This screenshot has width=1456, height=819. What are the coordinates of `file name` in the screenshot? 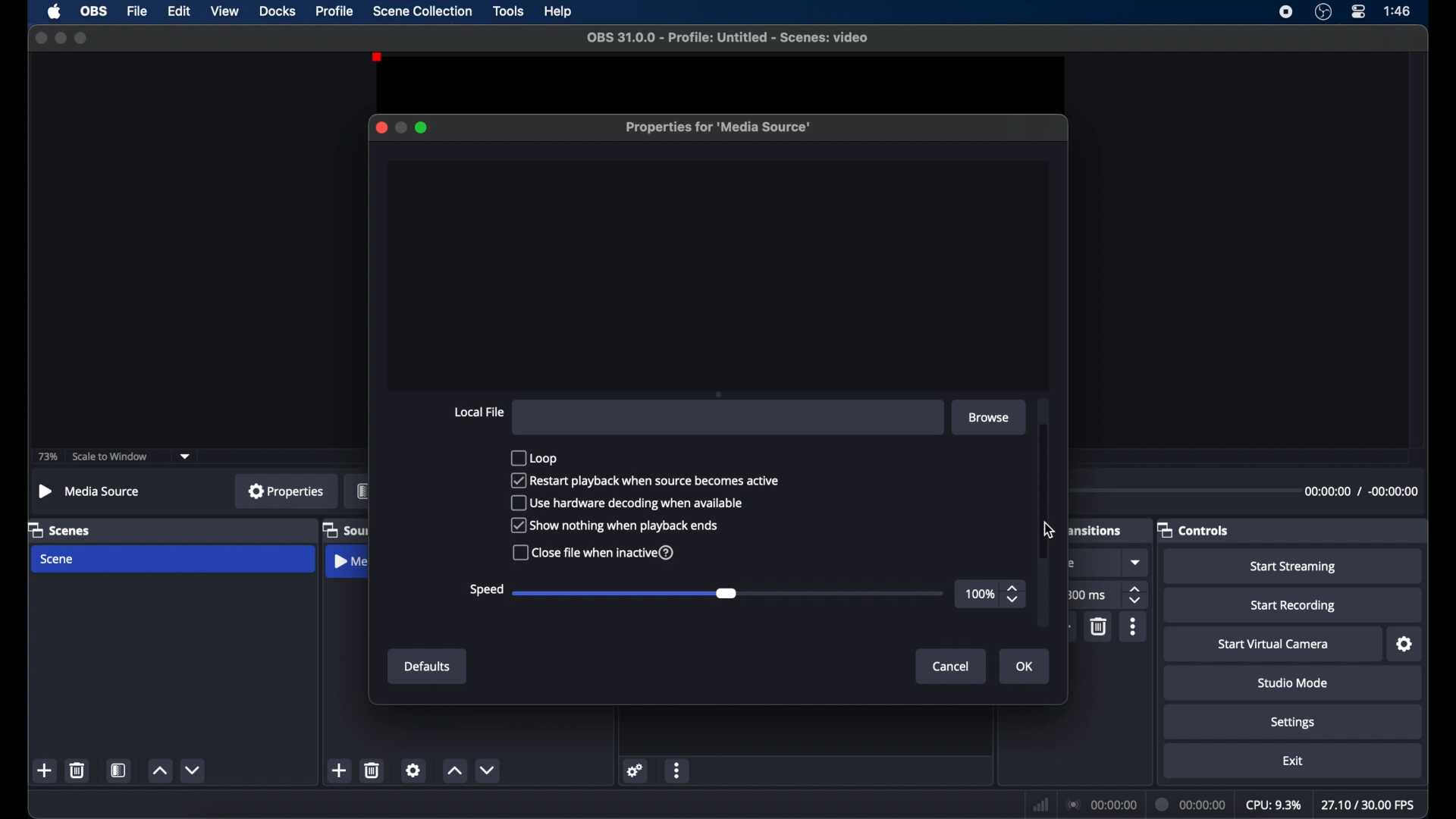 It's located at (732, 38).